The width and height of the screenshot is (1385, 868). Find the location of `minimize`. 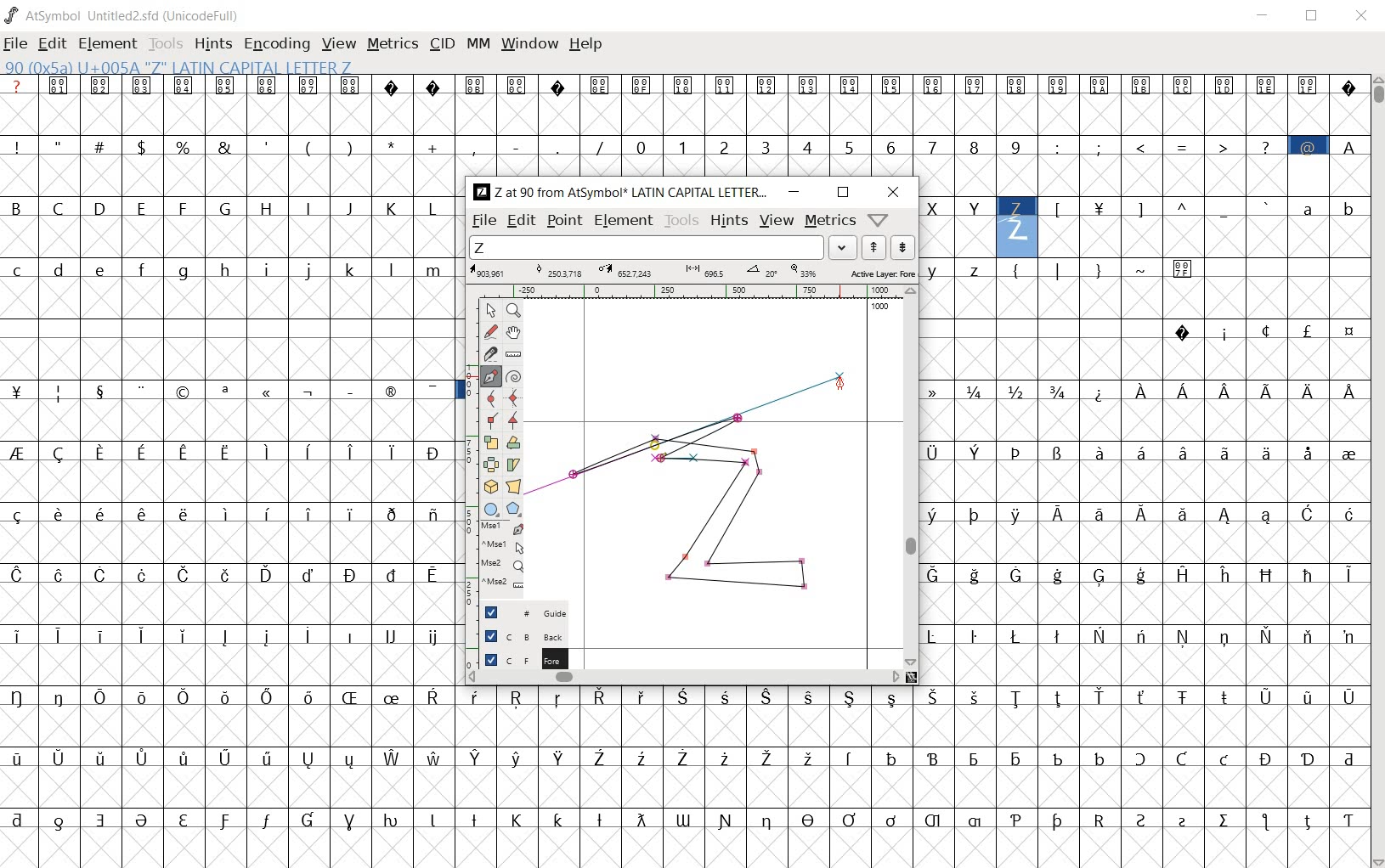

minimize is located at coordinates (1266, 18).